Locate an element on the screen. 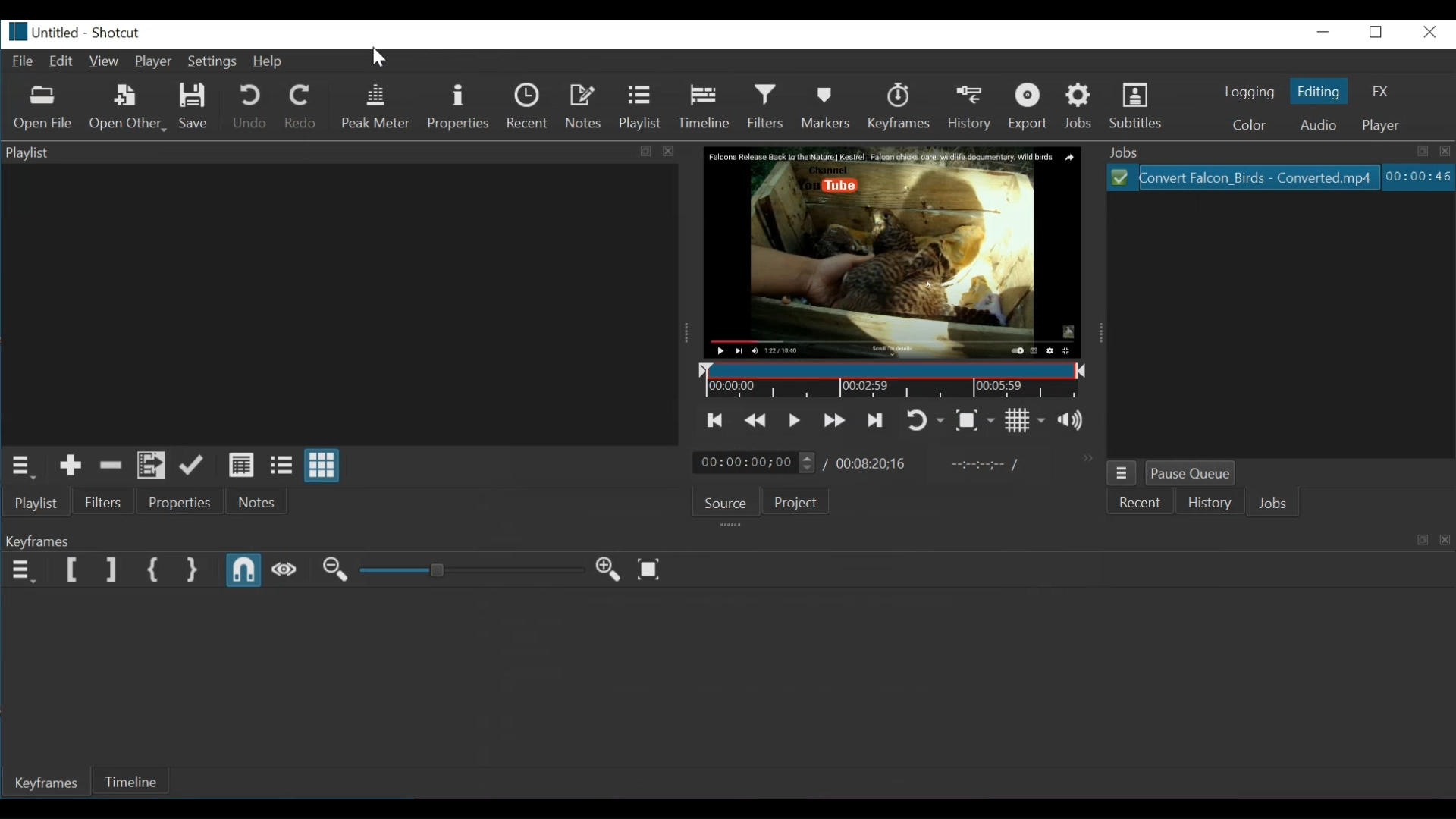 Image resolution: width=1456 pixels, height=819 pixels. Keyframes is located at coordinates (898, 108).